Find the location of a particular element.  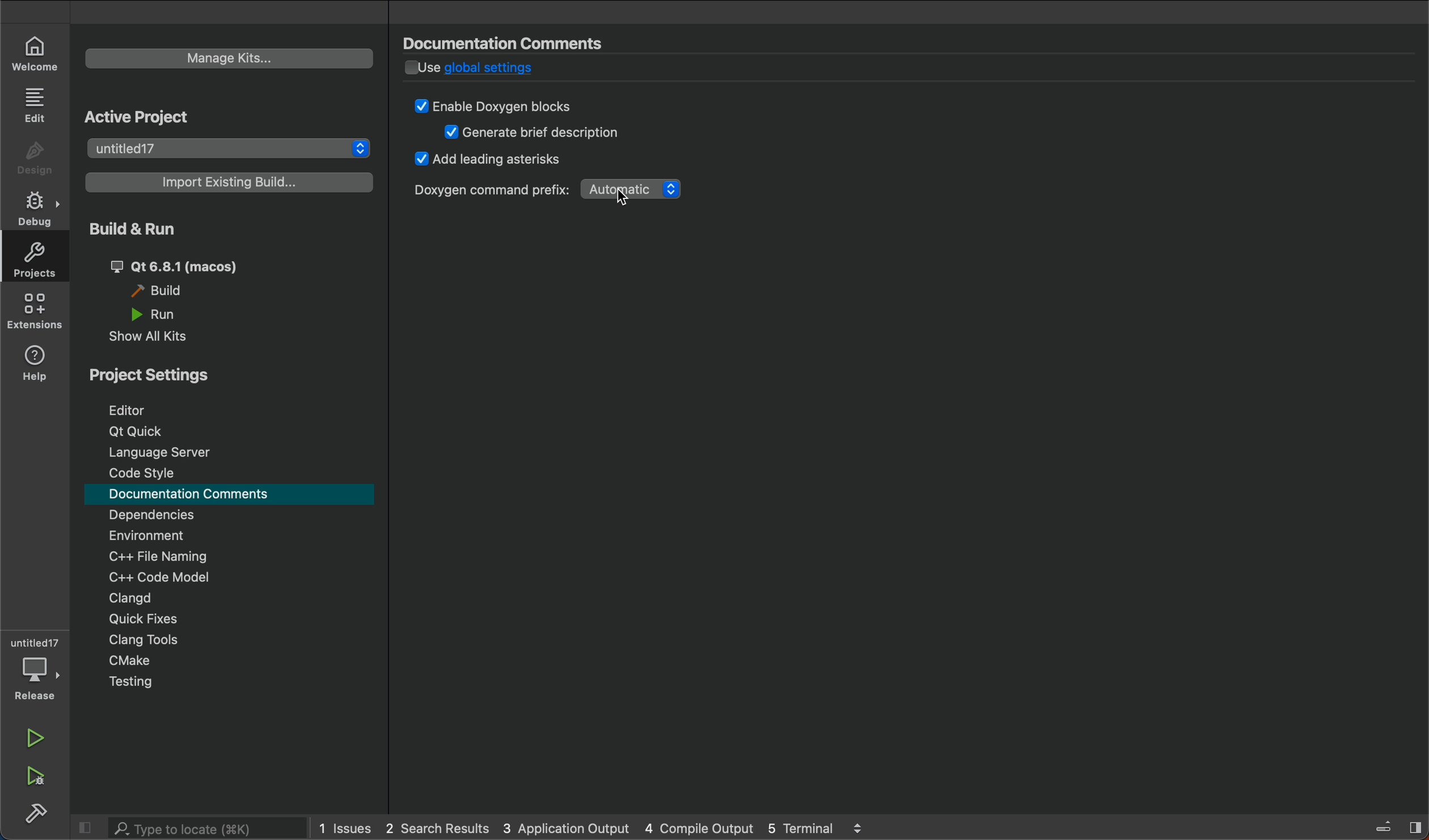

editor is located at coordinates (139, 410).